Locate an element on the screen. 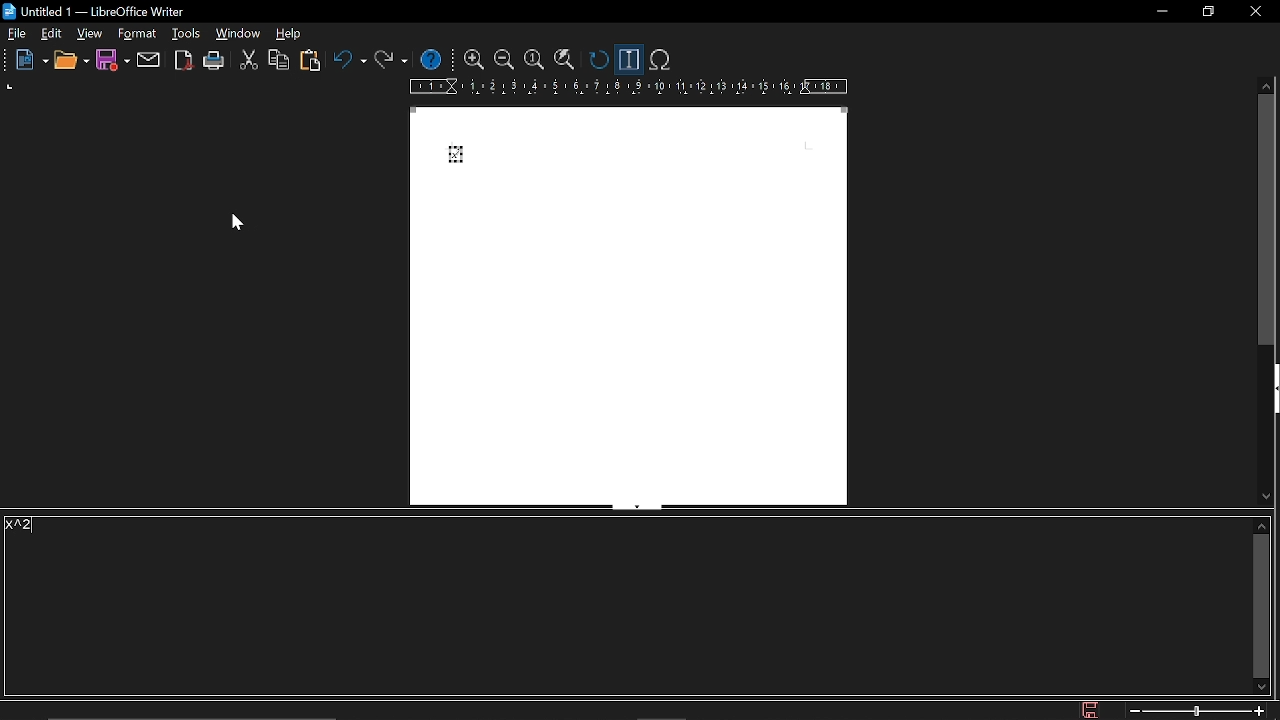 This screenshot has width=1280, height=720. Hide tab is located at coordinates (636, 507).